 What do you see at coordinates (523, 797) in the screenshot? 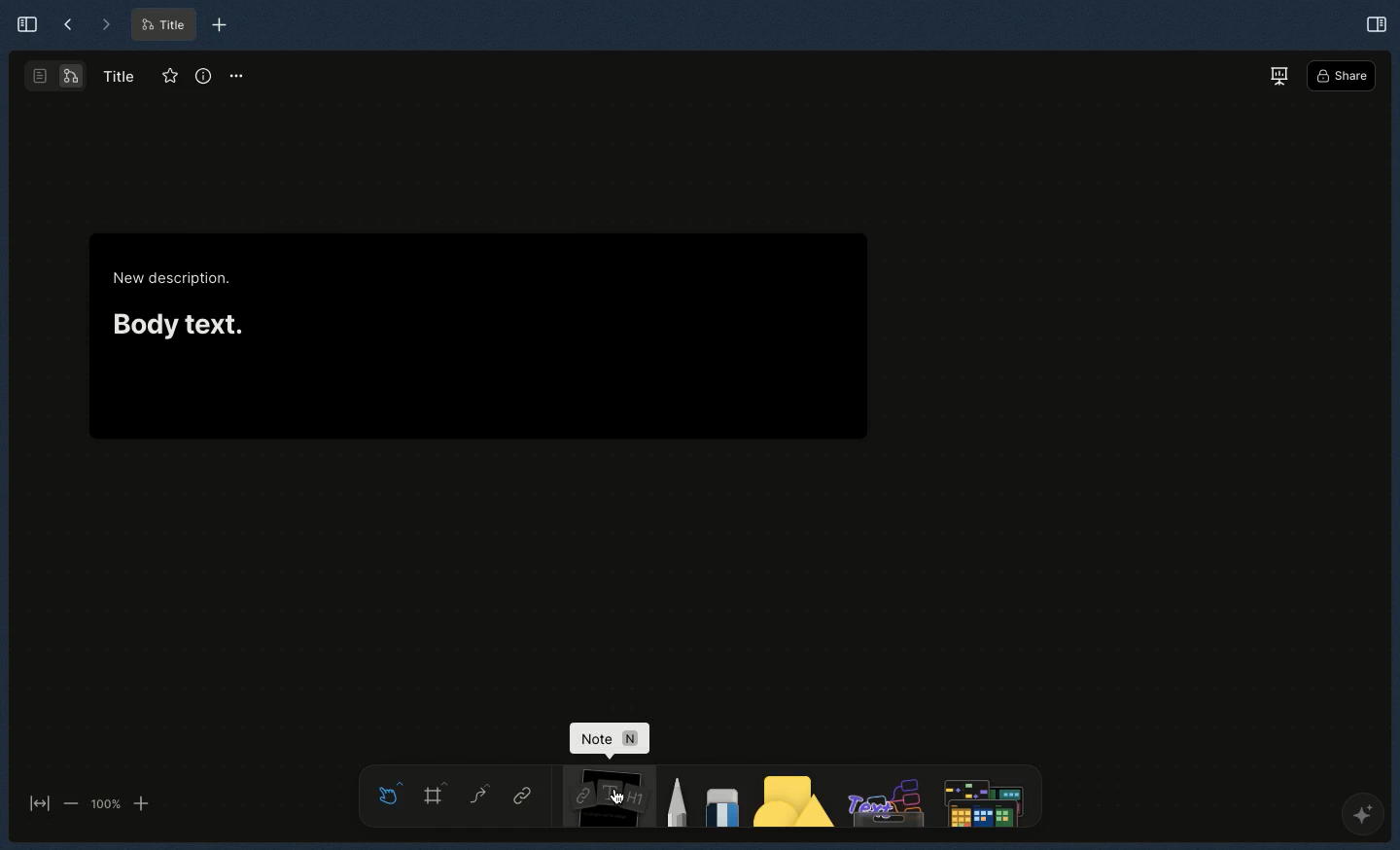
I see `Link` at bounding box center [523, 797].